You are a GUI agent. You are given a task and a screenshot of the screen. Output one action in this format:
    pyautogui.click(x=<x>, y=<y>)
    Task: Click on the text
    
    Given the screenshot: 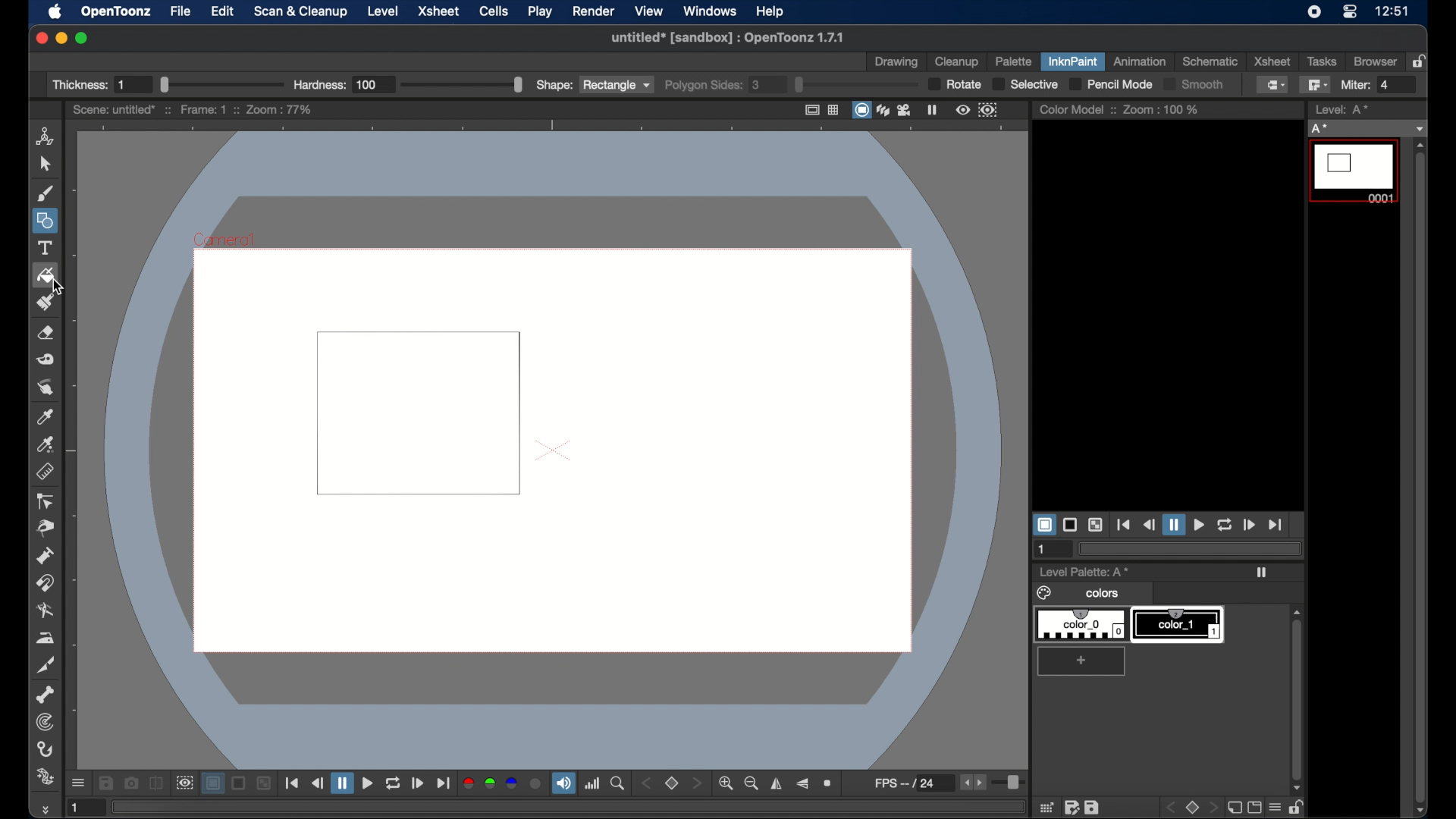 What is the action you would take?
    pyautogui.click(x=45, y=248)
    